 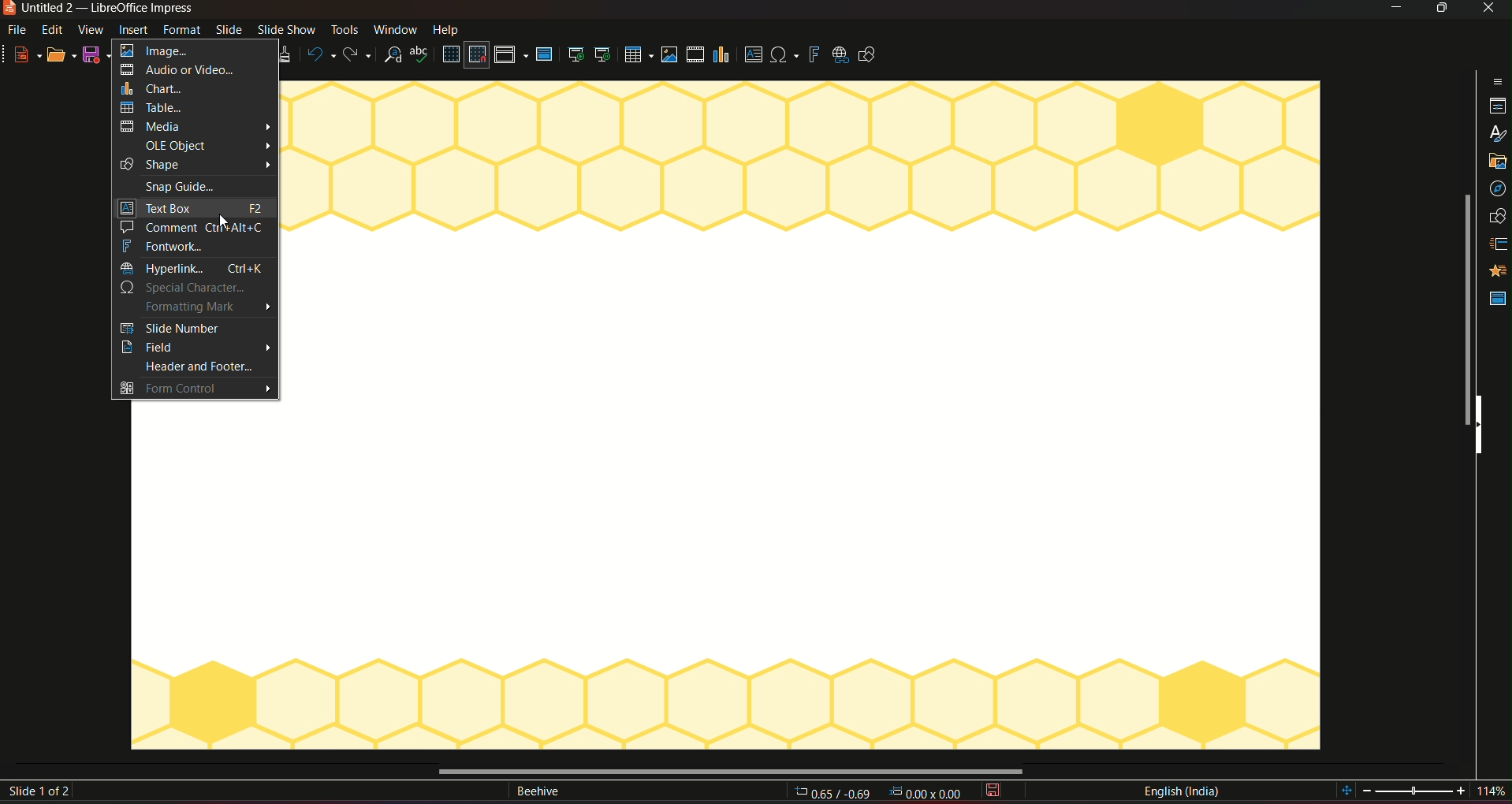 What do you see at coordinates (1347, 791) in the screenshot?
I see `fit slide to current view` at bounding box center [1347, 791].